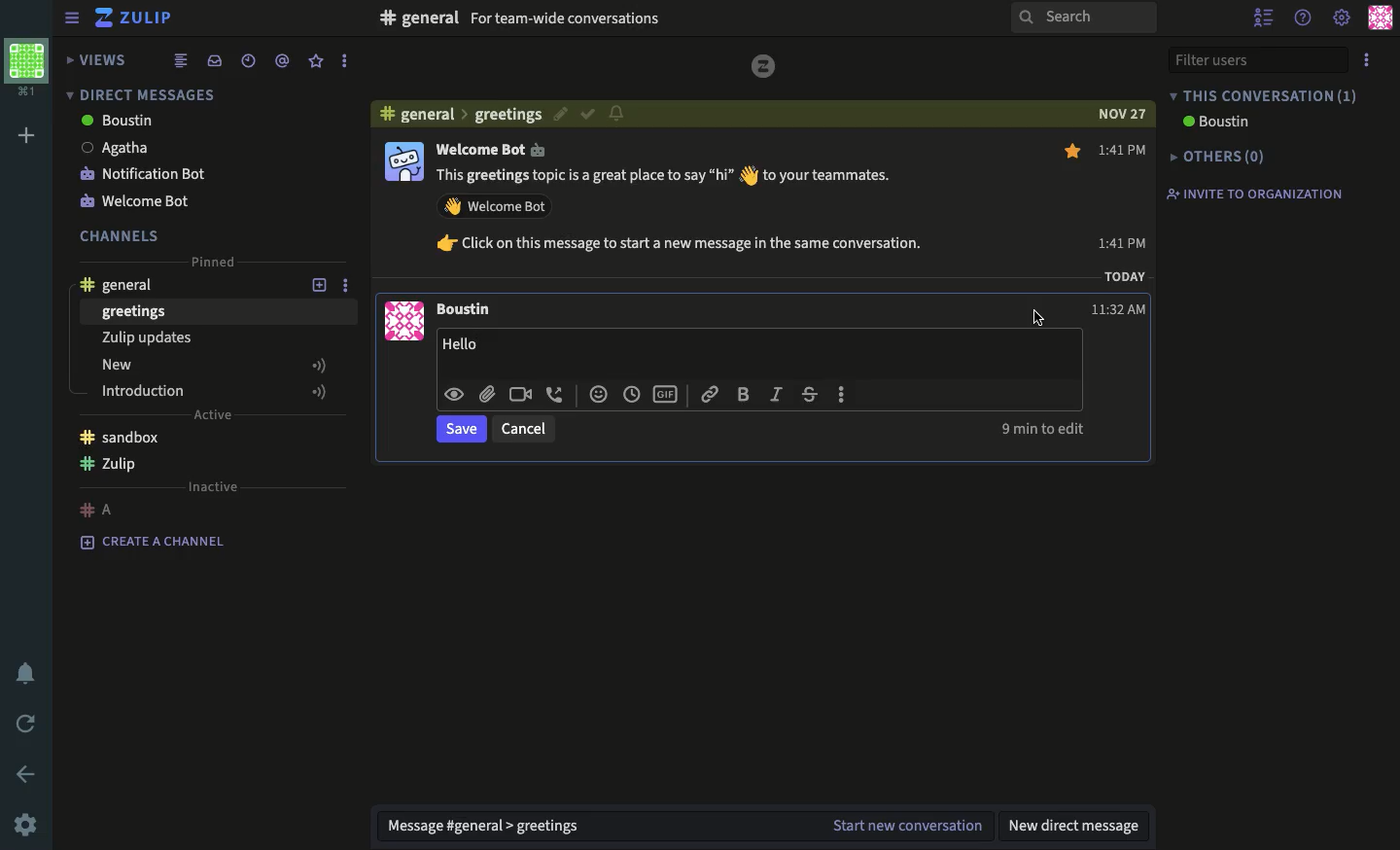 This screenshot has width=1400, height=850. What do you see at coordinates (146, 174) in the screenshot?
I see `Notification Bot` at bounding box center [146, 174].